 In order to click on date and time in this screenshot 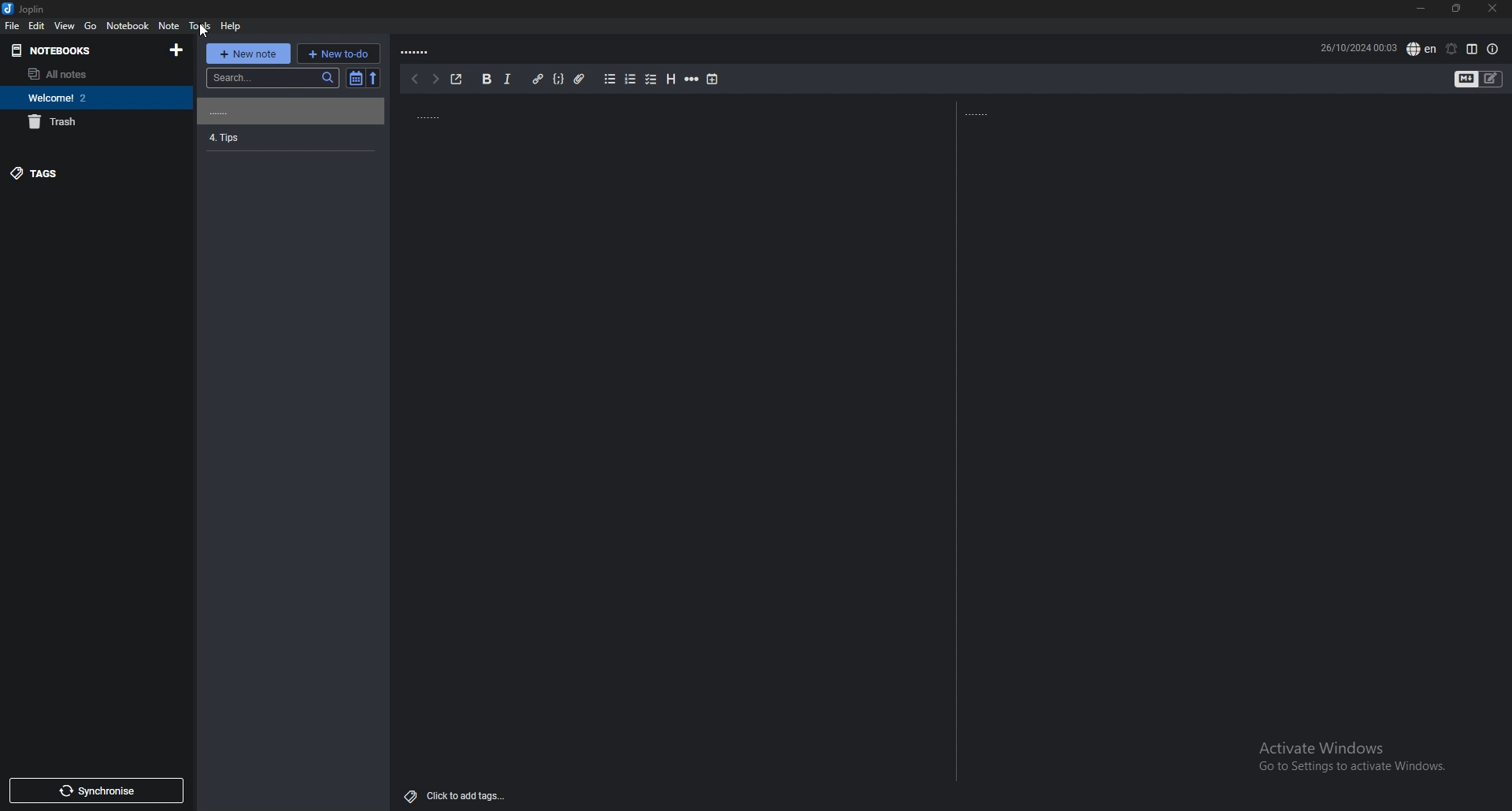, I will do `click(1355, 48)`.